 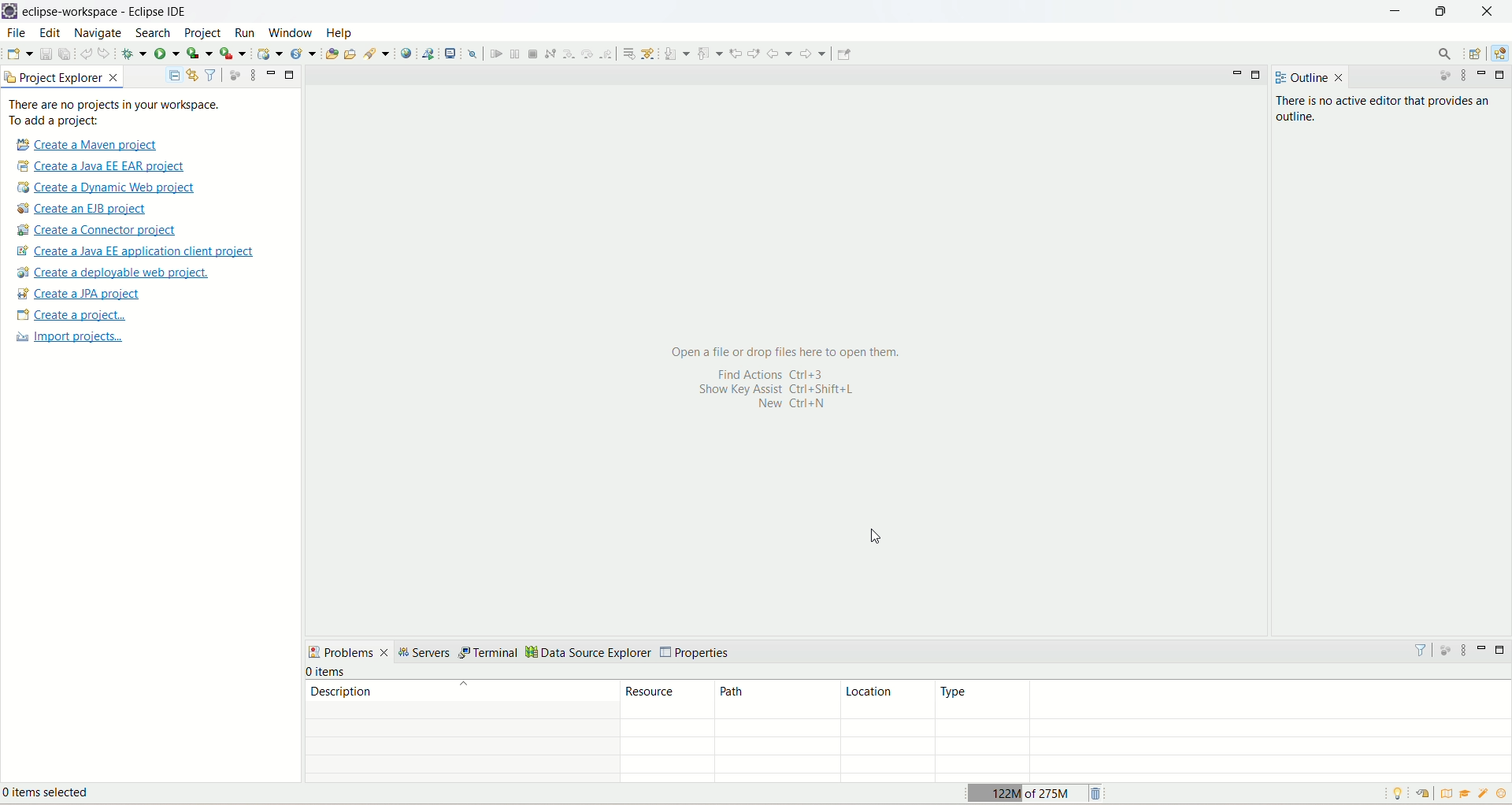 What do you see at coordinates (885, 700) in the screenshot?
I see `location` at bounding box center [885, 700].